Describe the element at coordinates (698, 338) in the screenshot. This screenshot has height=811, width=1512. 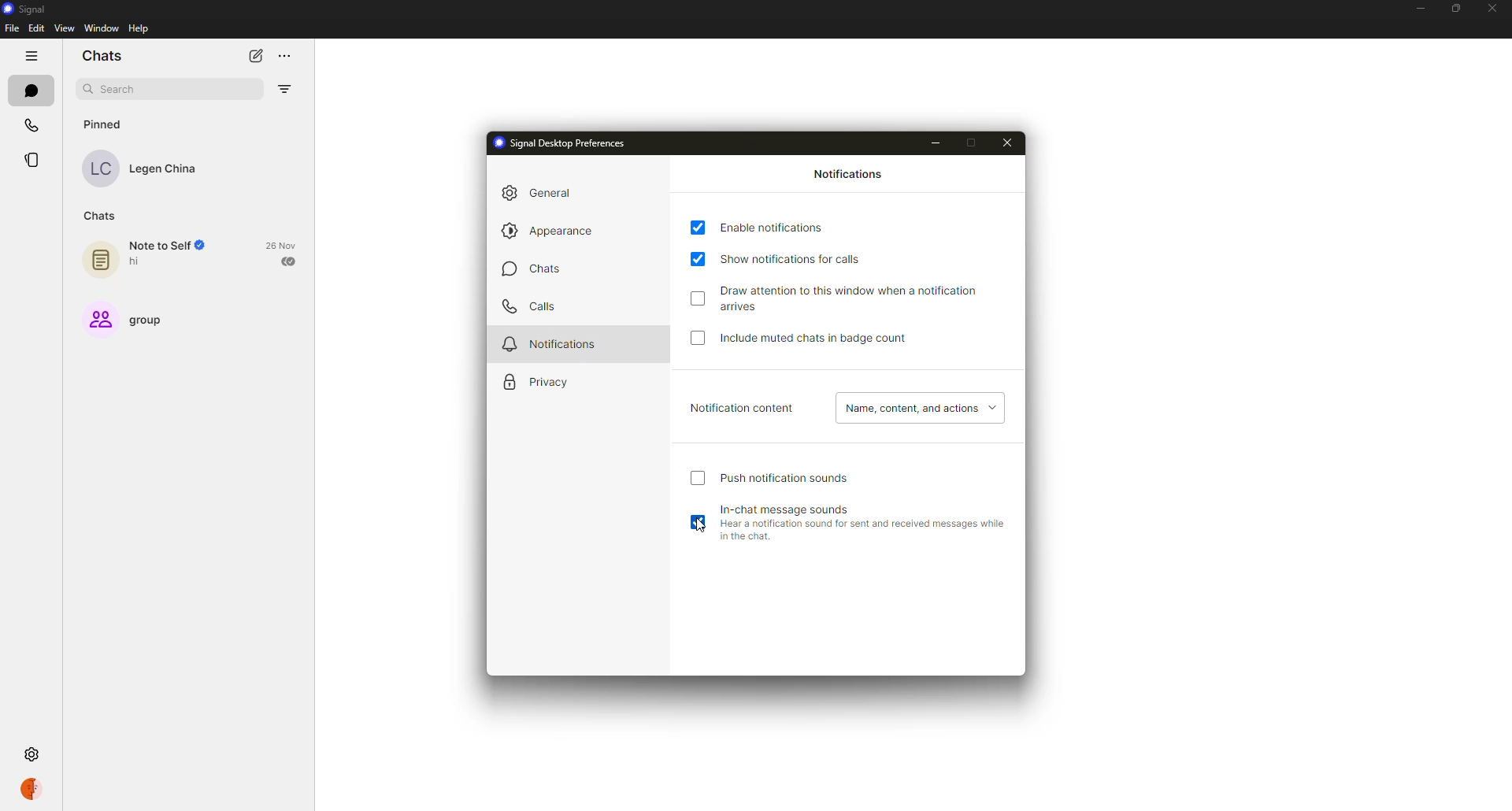
I see `click to enable` at that location.